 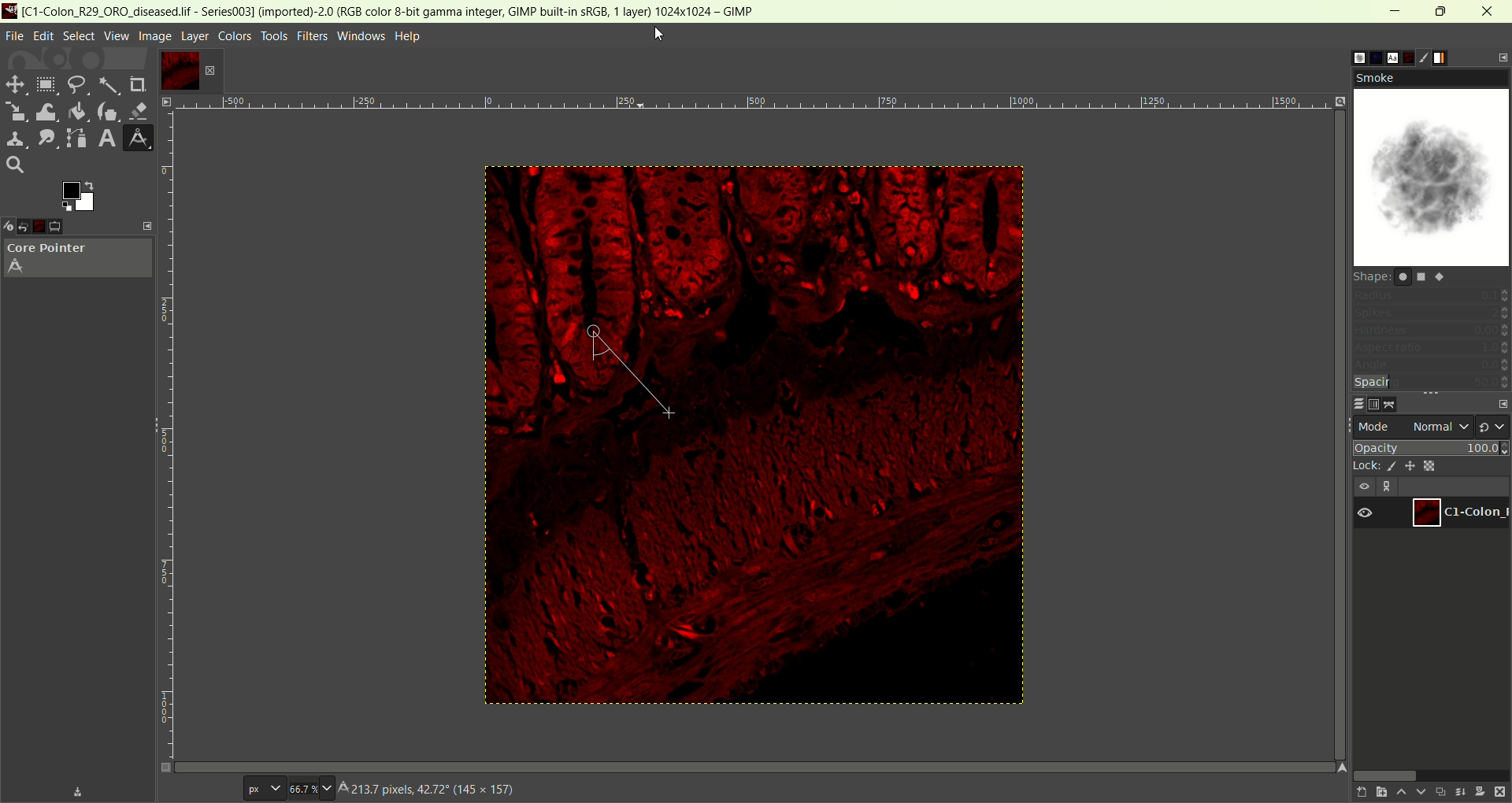 I want to click on close, so click(x=1489, y=11).